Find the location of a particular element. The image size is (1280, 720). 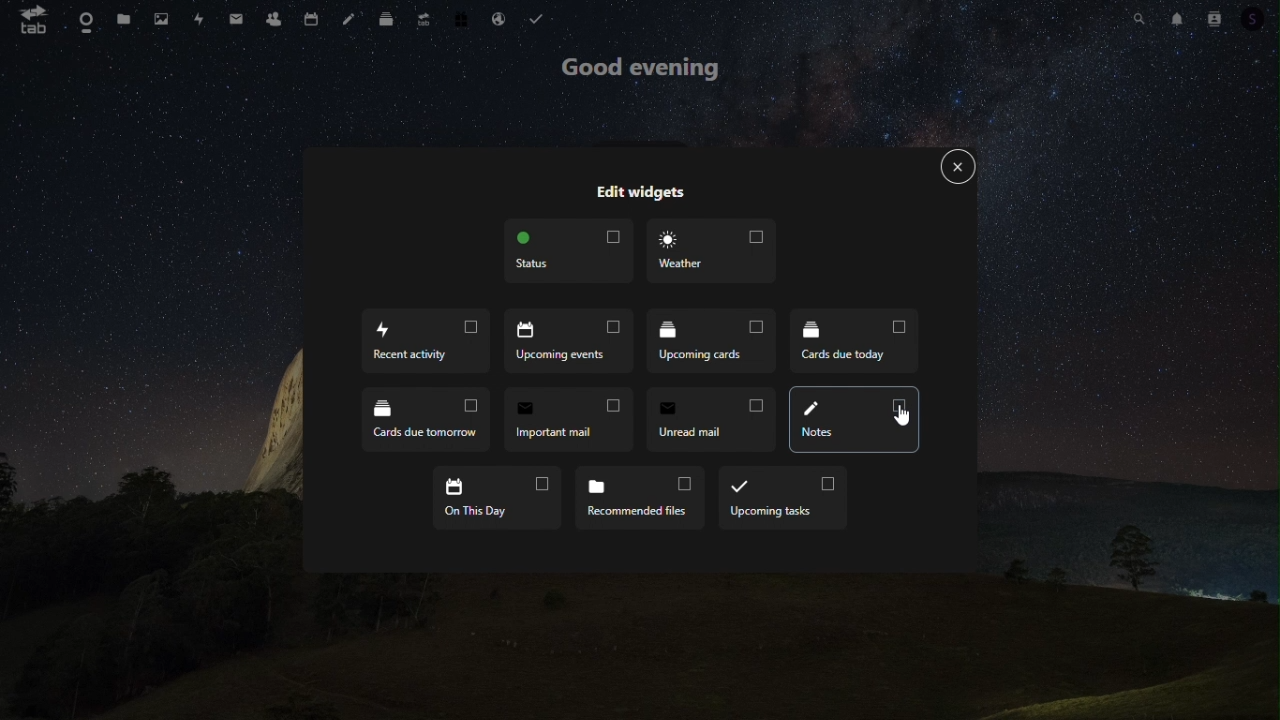

Notifications is located at coordinates (1179, 19).